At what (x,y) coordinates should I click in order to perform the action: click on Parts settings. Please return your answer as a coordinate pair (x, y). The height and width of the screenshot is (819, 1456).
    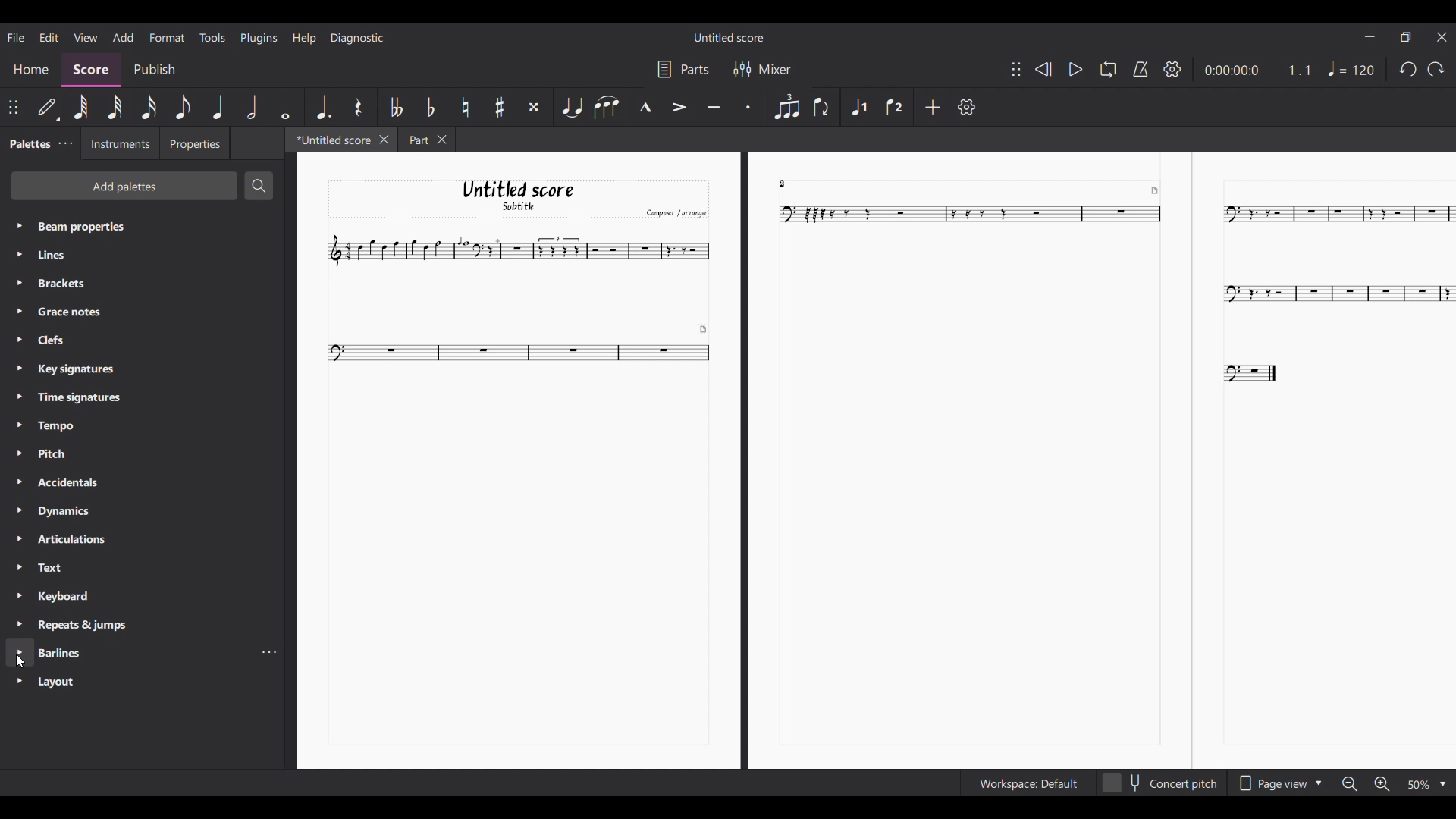
    Looking at the image, I should click on (683, 69).